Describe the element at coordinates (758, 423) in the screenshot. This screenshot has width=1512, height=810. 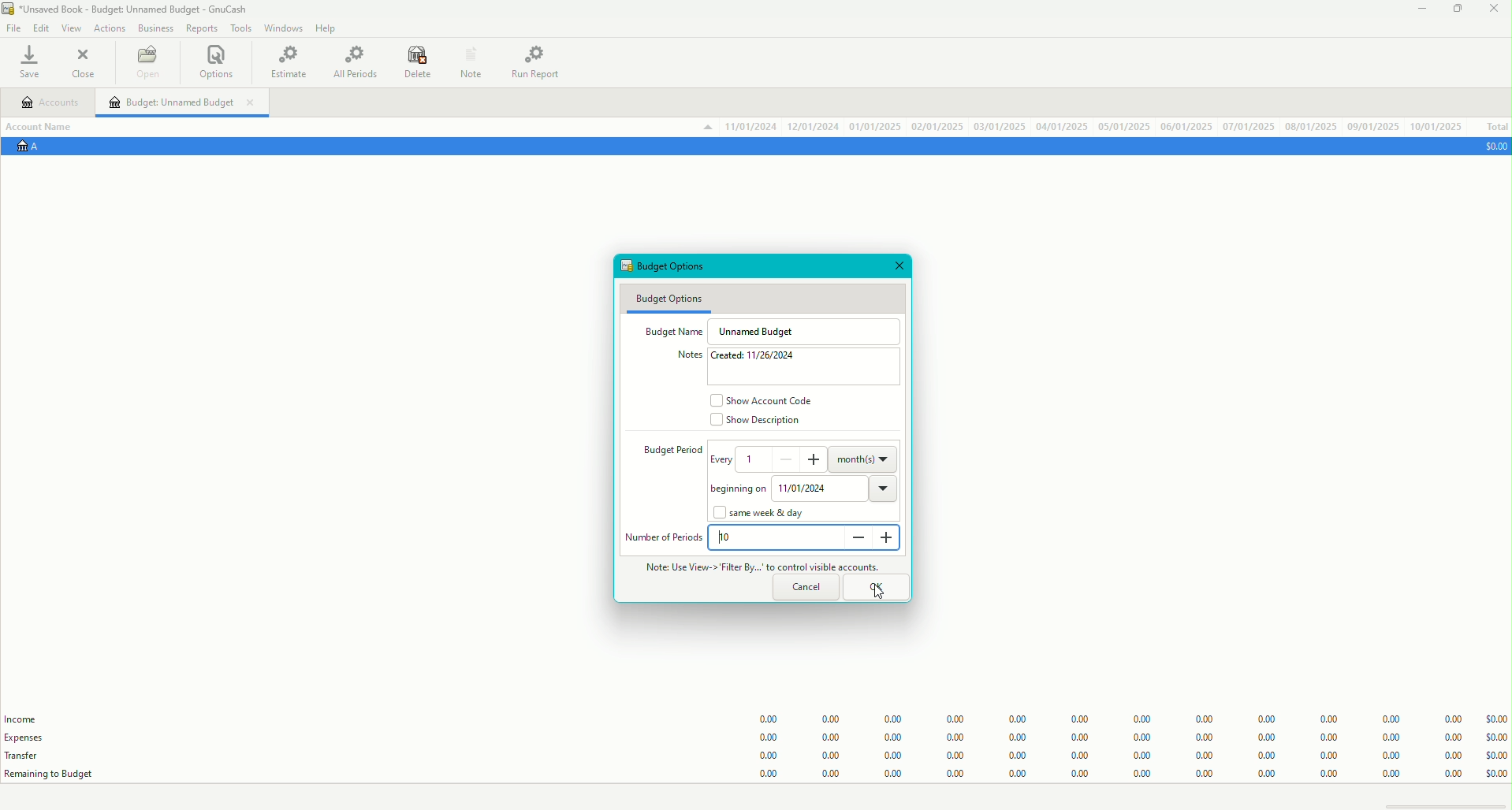
I see `Show Description` at that location.